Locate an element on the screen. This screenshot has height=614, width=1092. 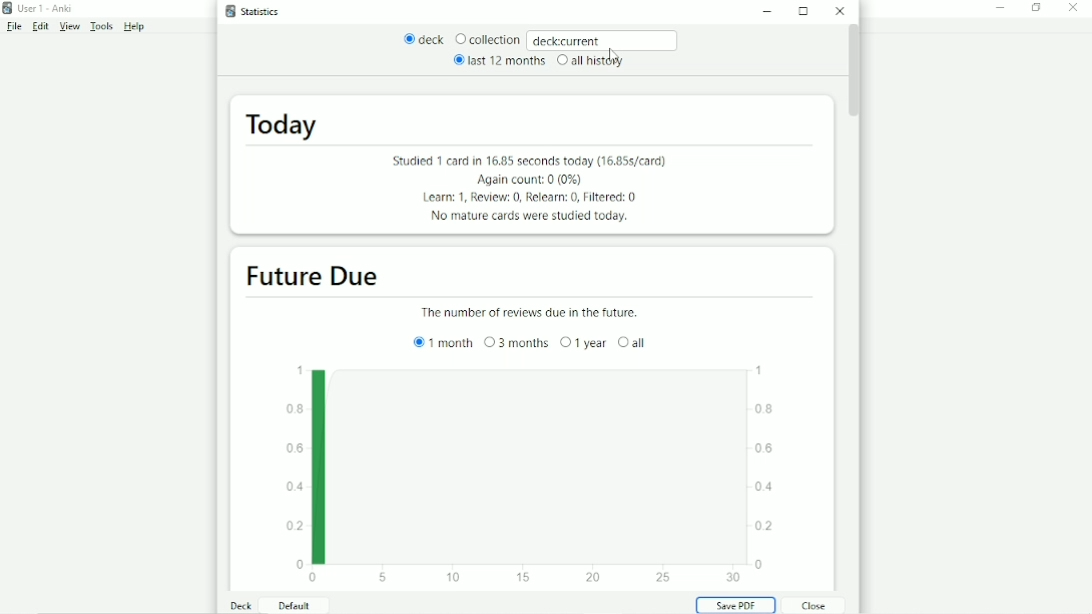
all history is located at coordinates (590, 63).